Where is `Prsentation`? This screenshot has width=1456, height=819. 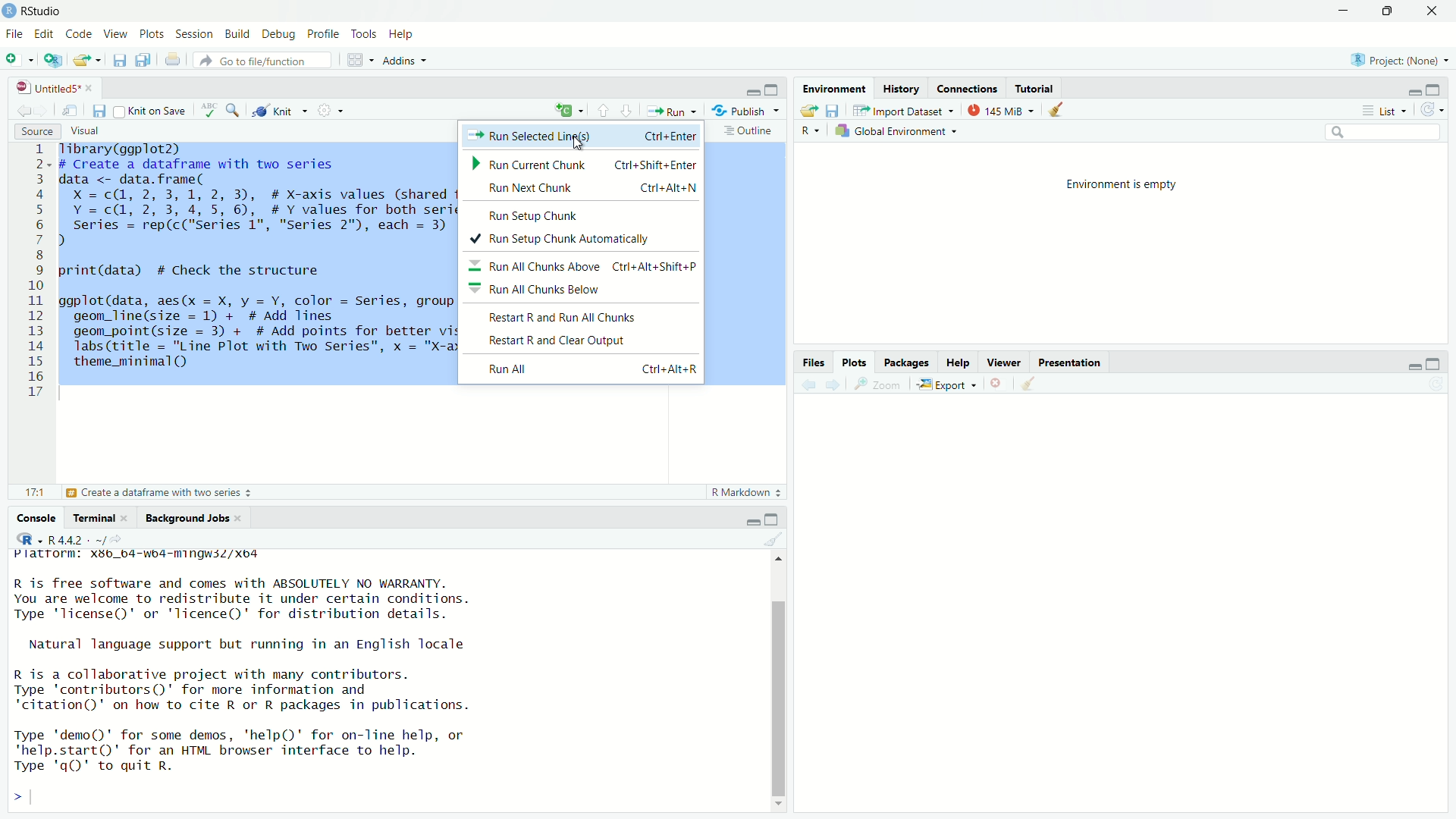
Prsentation is located at coordinates (1075, 362).